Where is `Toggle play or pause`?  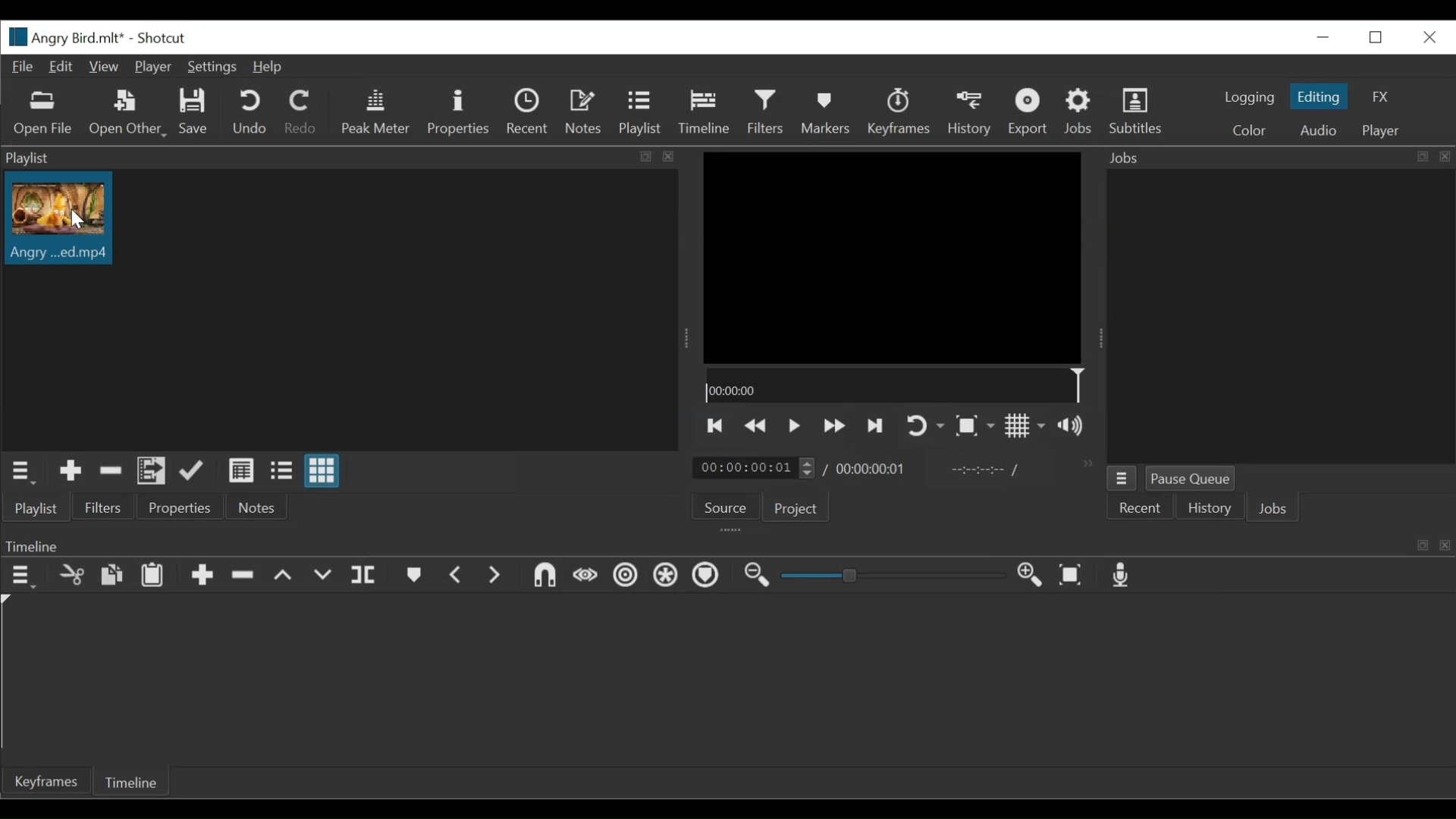
Toggle play or pause is located at coordinates (795, 425).